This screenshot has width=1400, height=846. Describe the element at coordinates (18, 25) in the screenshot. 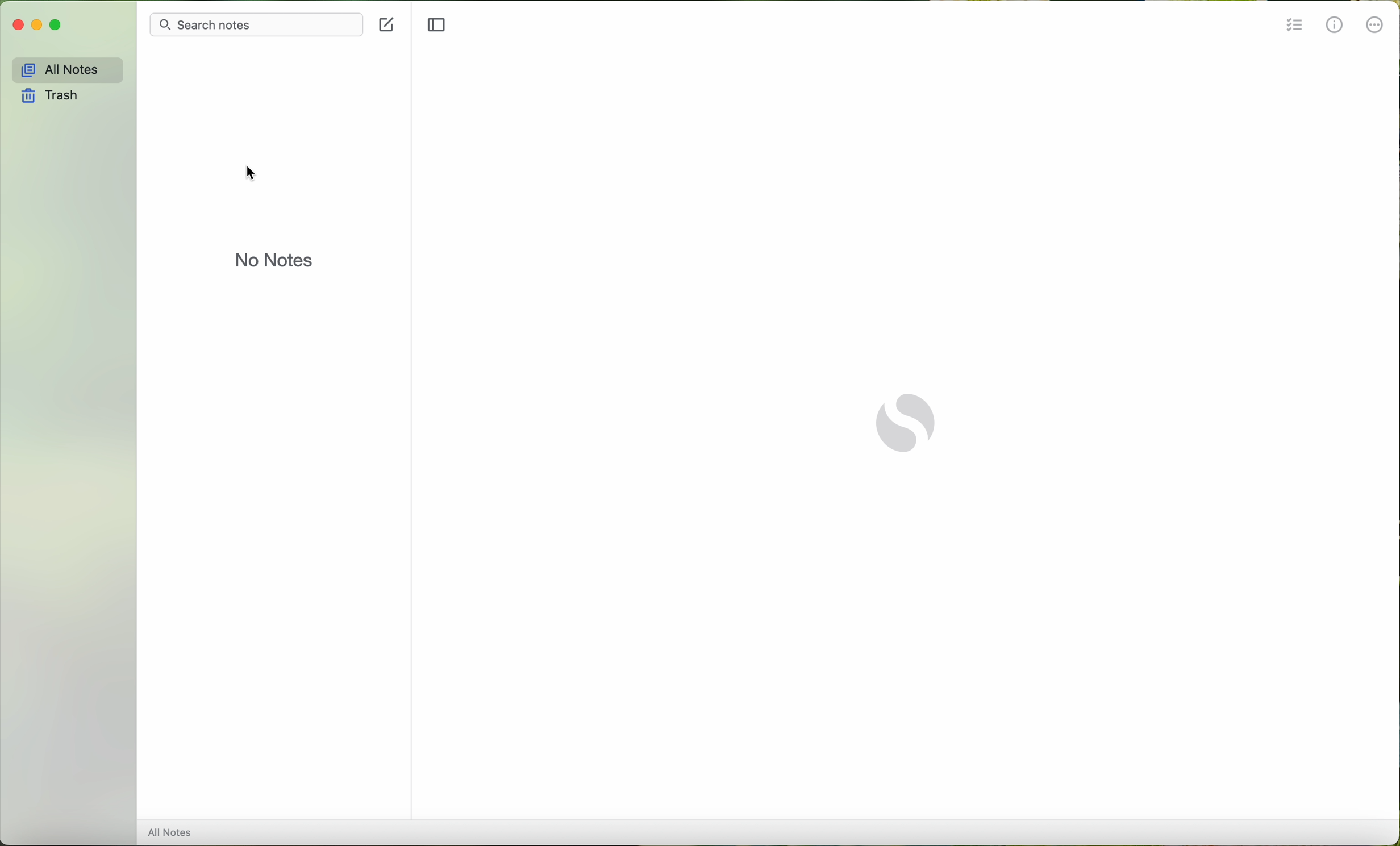

I see `close Simplenote` at that location.